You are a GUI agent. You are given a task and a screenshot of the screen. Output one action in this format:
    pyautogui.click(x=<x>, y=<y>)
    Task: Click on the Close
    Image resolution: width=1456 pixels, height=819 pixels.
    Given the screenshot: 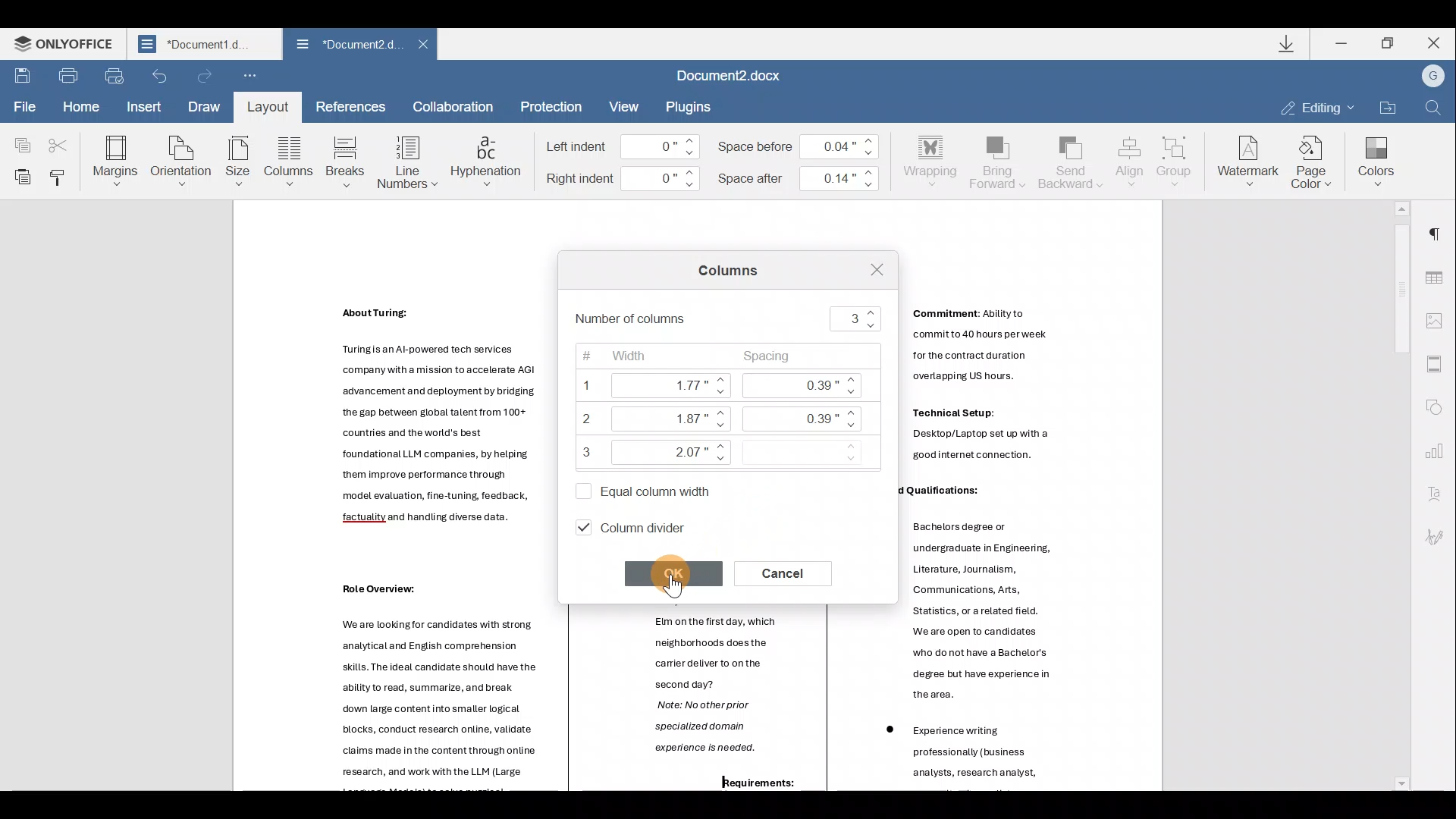 What is the action you would take?
    pyautogui.click(x=870, y=268)
    